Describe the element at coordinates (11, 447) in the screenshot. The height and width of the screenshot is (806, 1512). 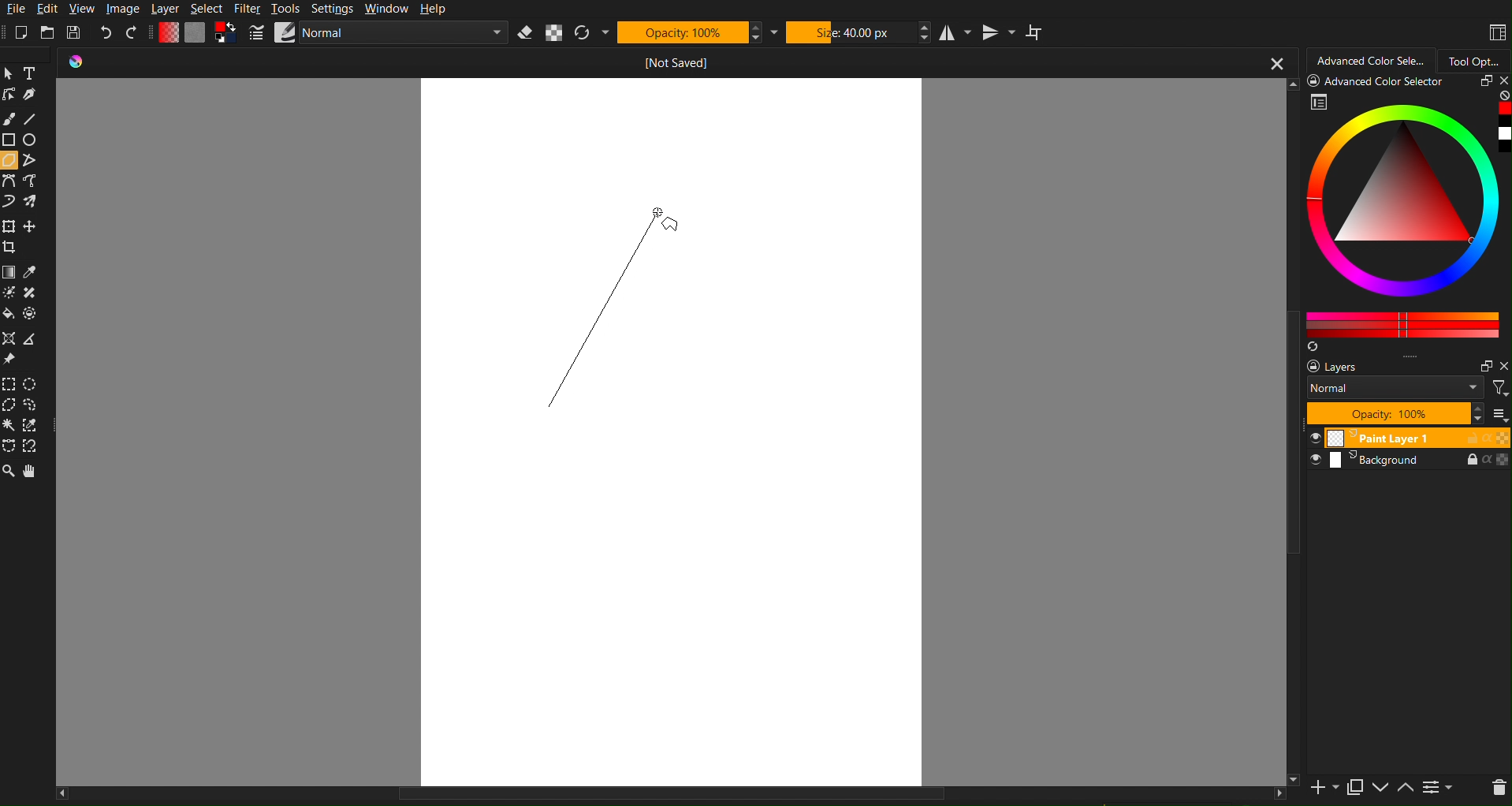
I see `bezier curve Selection Tools` at that location.